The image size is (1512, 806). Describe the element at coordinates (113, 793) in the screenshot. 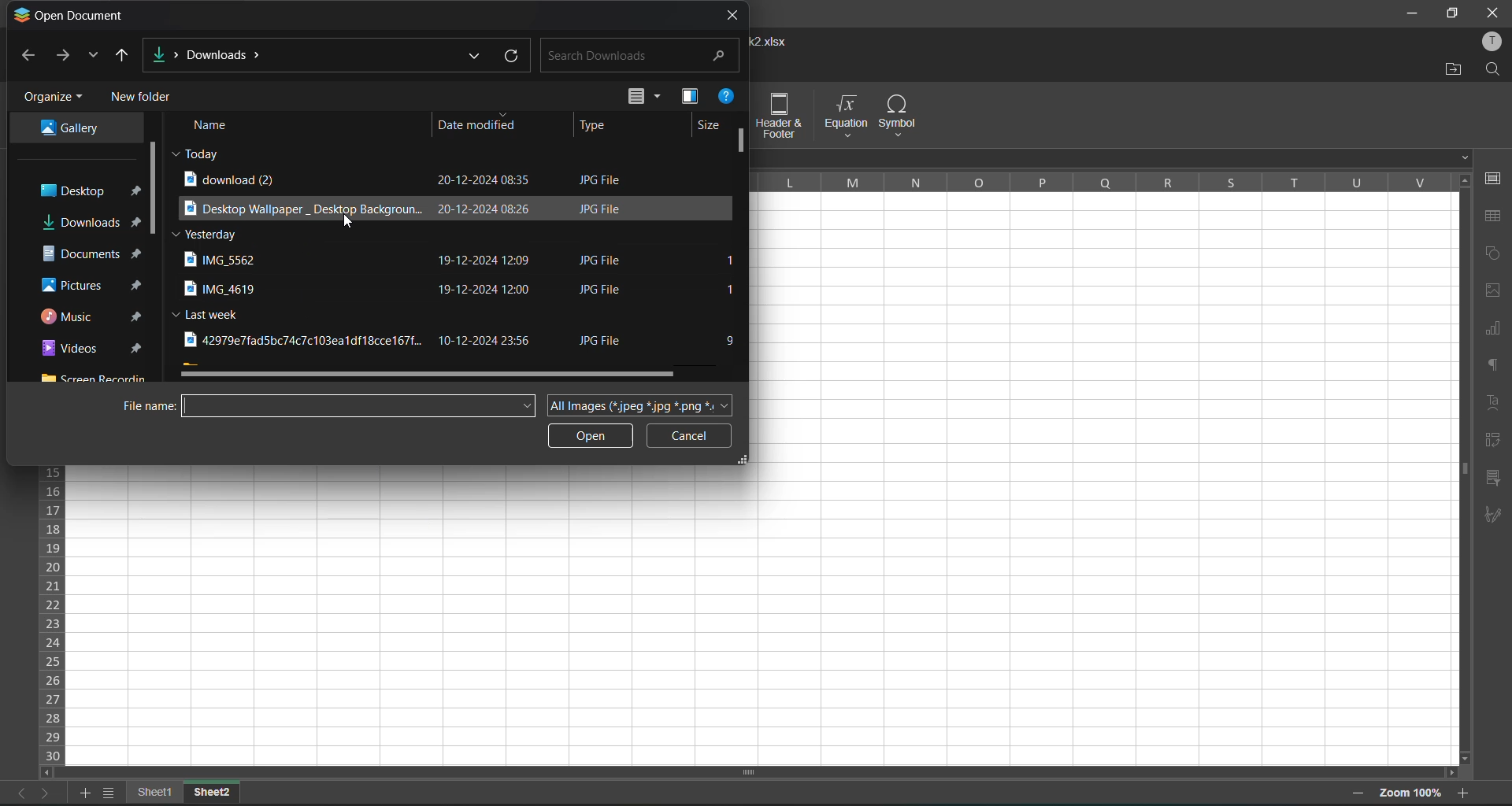

I see `sheet list` at that location.